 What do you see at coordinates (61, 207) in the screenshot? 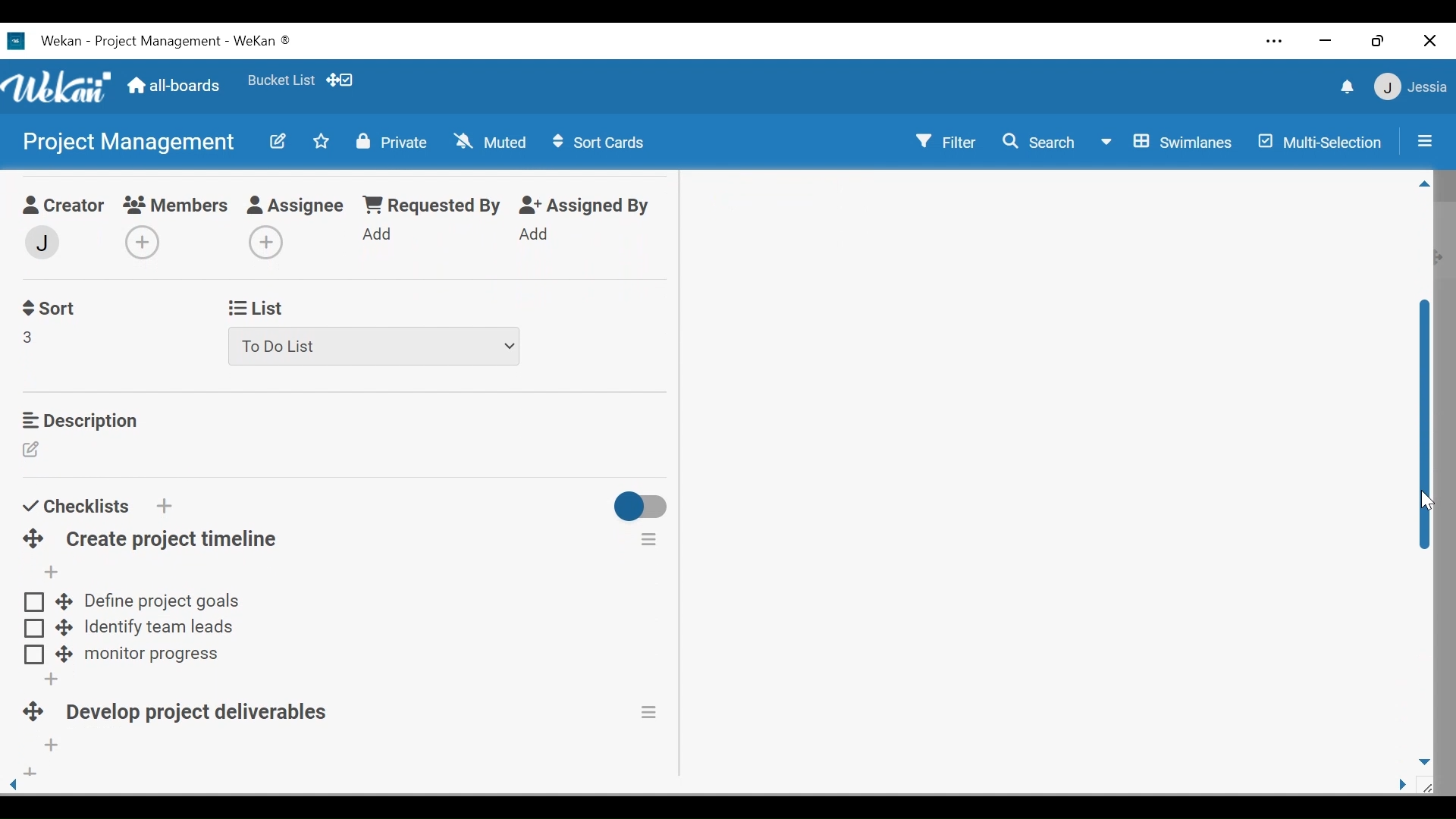
I see `Creator` at bounding box center [61, 207].